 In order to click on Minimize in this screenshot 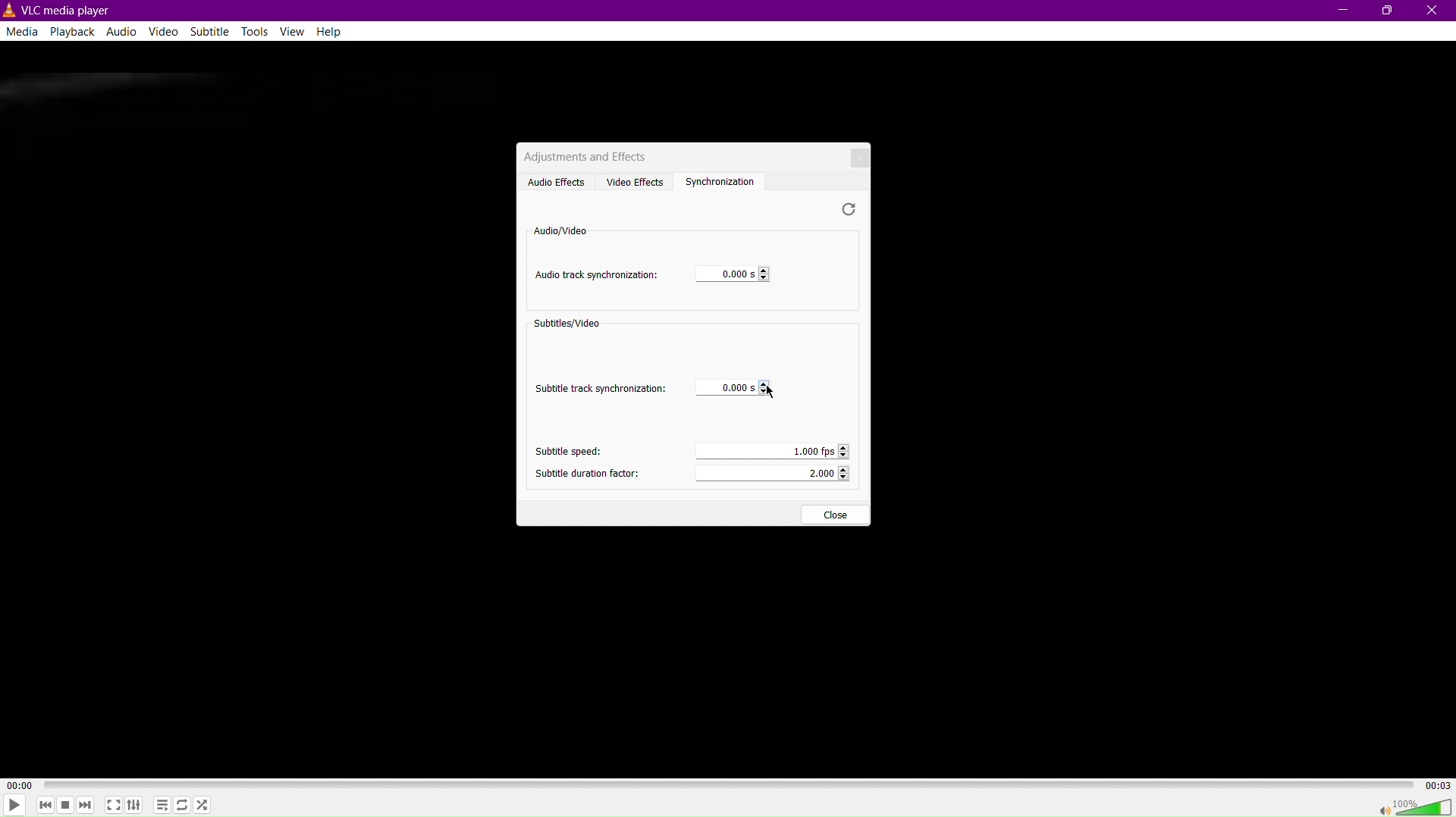, I will do `click(1339, 11)`.